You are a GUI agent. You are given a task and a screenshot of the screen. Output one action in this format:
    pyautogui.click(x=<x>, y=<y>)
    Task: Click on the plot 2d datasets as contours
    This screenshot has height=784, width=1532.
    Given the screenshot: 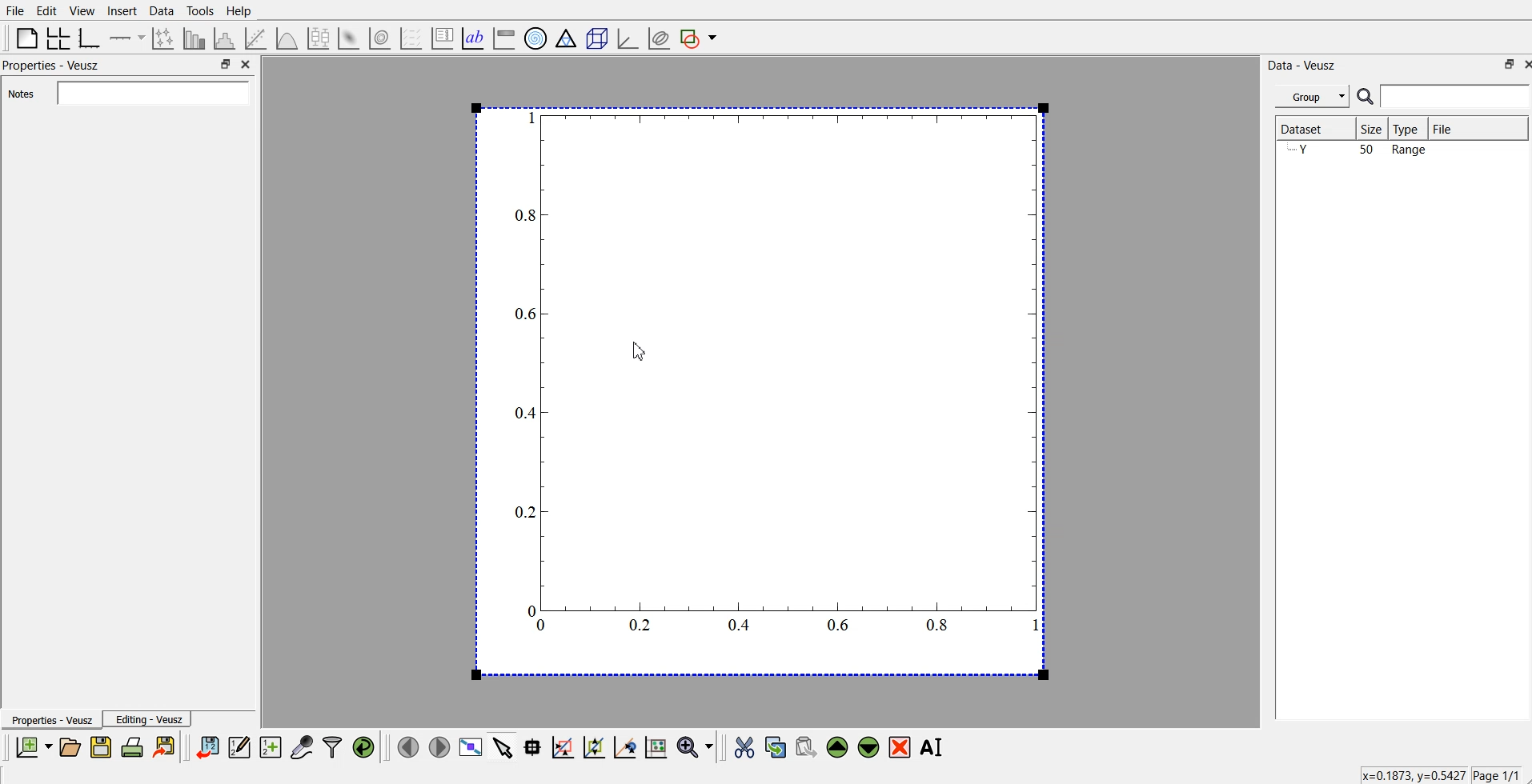 What is the action you would take?
    pyautogui.click(x=380, y=36)
    